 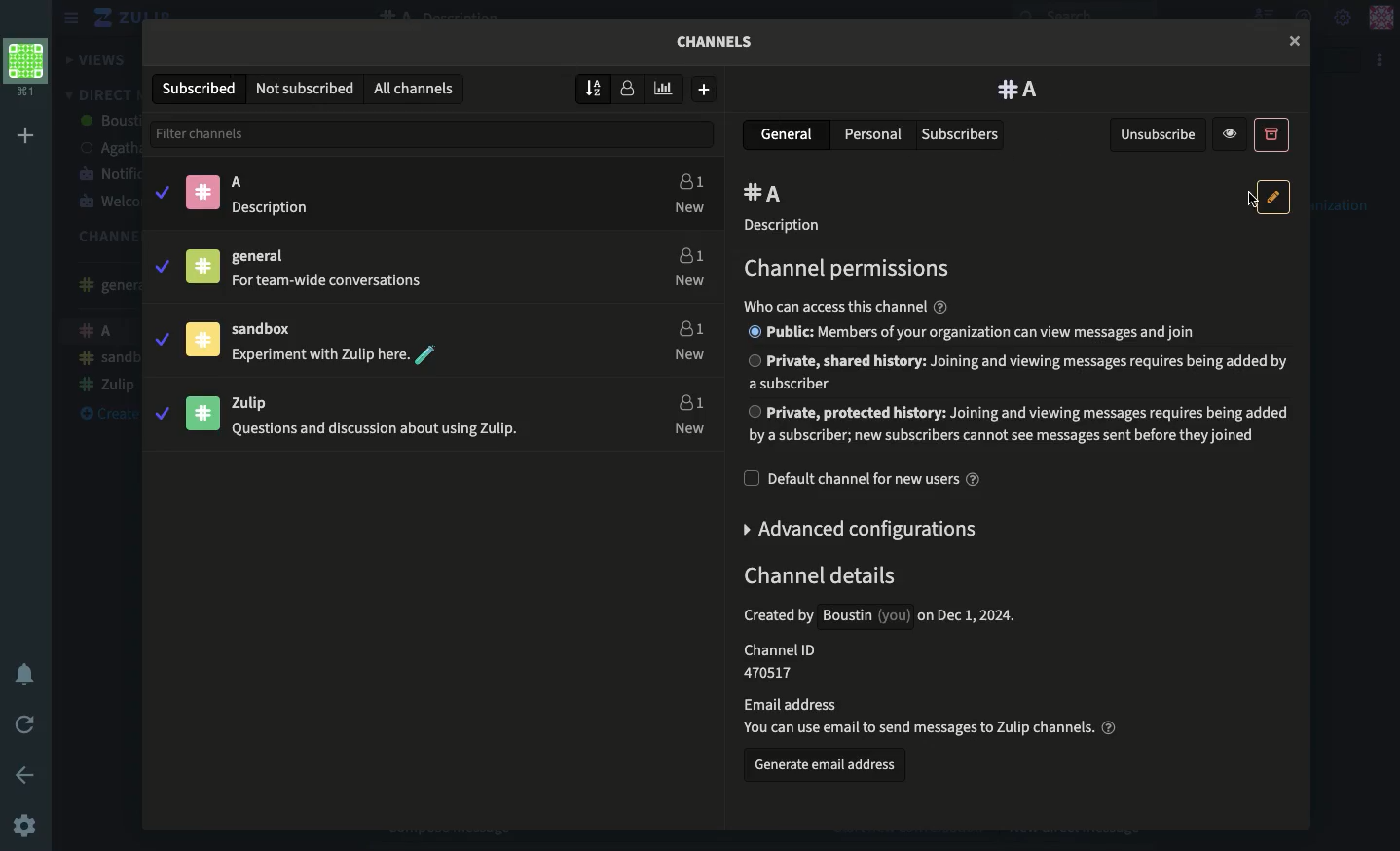 What do you see at coordinates (307, 345) in the screenshot?
I see `Sandbox` at bounding box center [307, 345].